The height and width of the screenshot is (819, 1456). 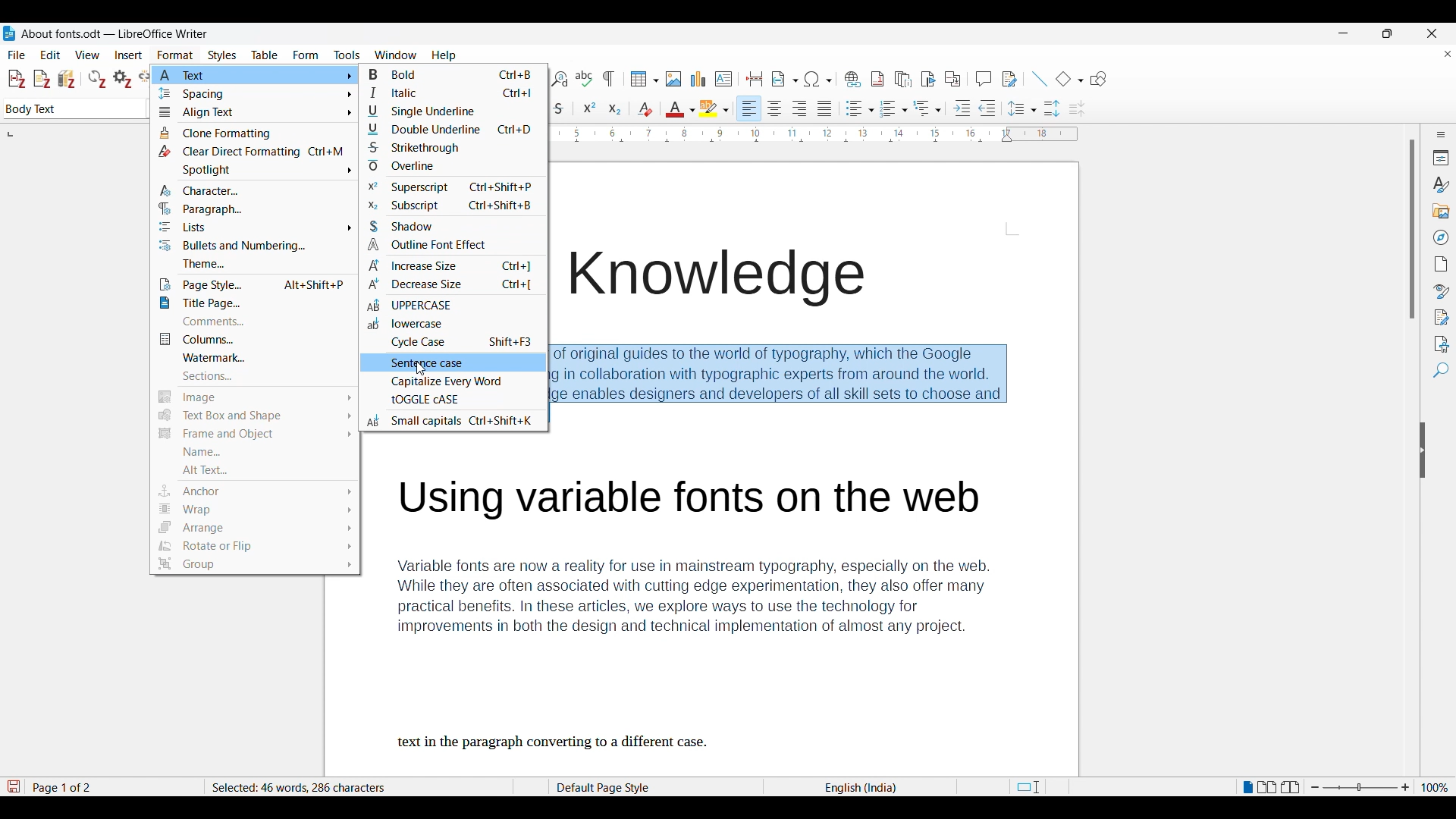 I want to click on Ordered list, so click(x=894, y=108).